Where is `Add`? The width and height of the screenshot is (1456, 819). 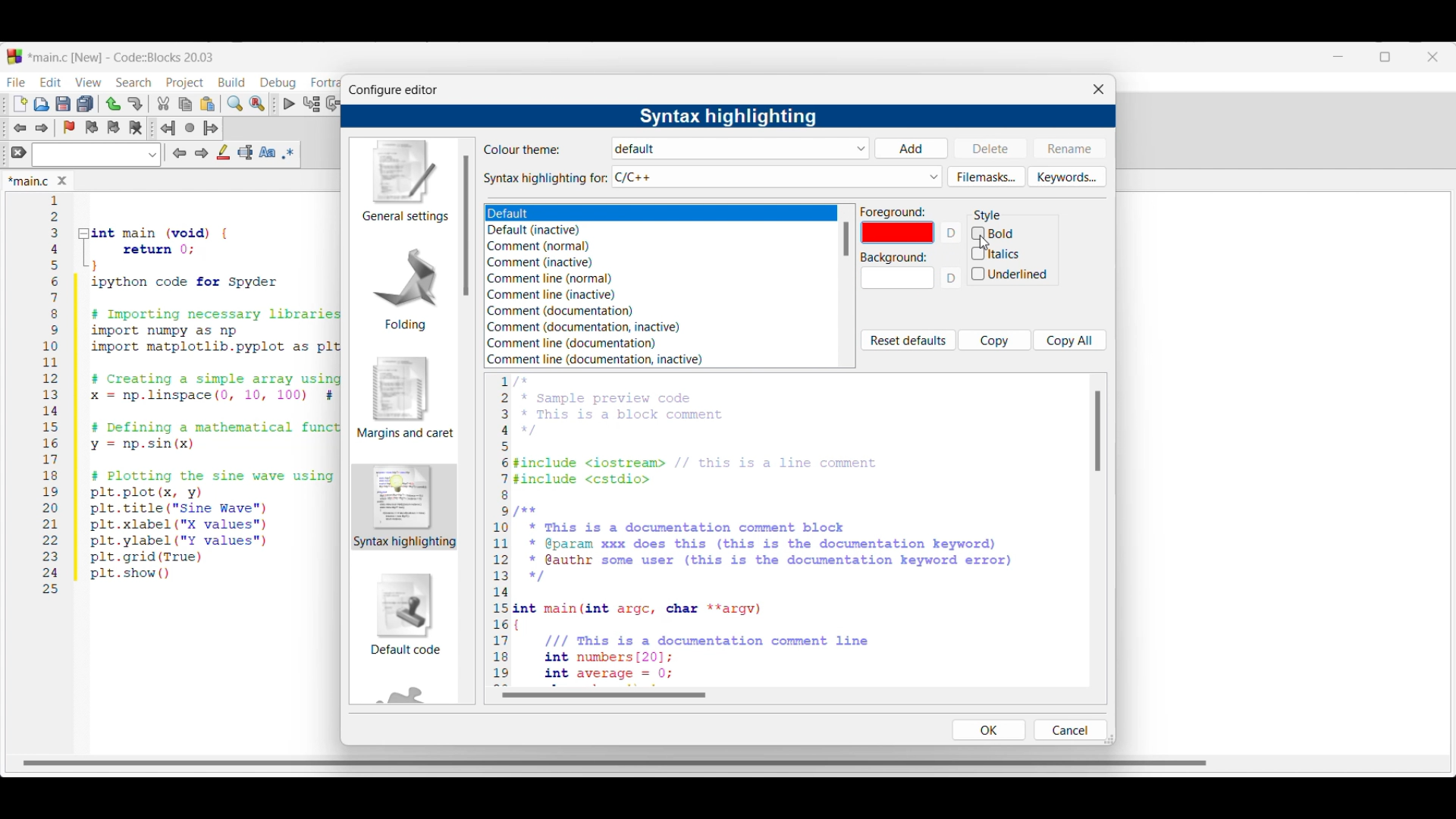 Add is located at coordinates (911, 149).